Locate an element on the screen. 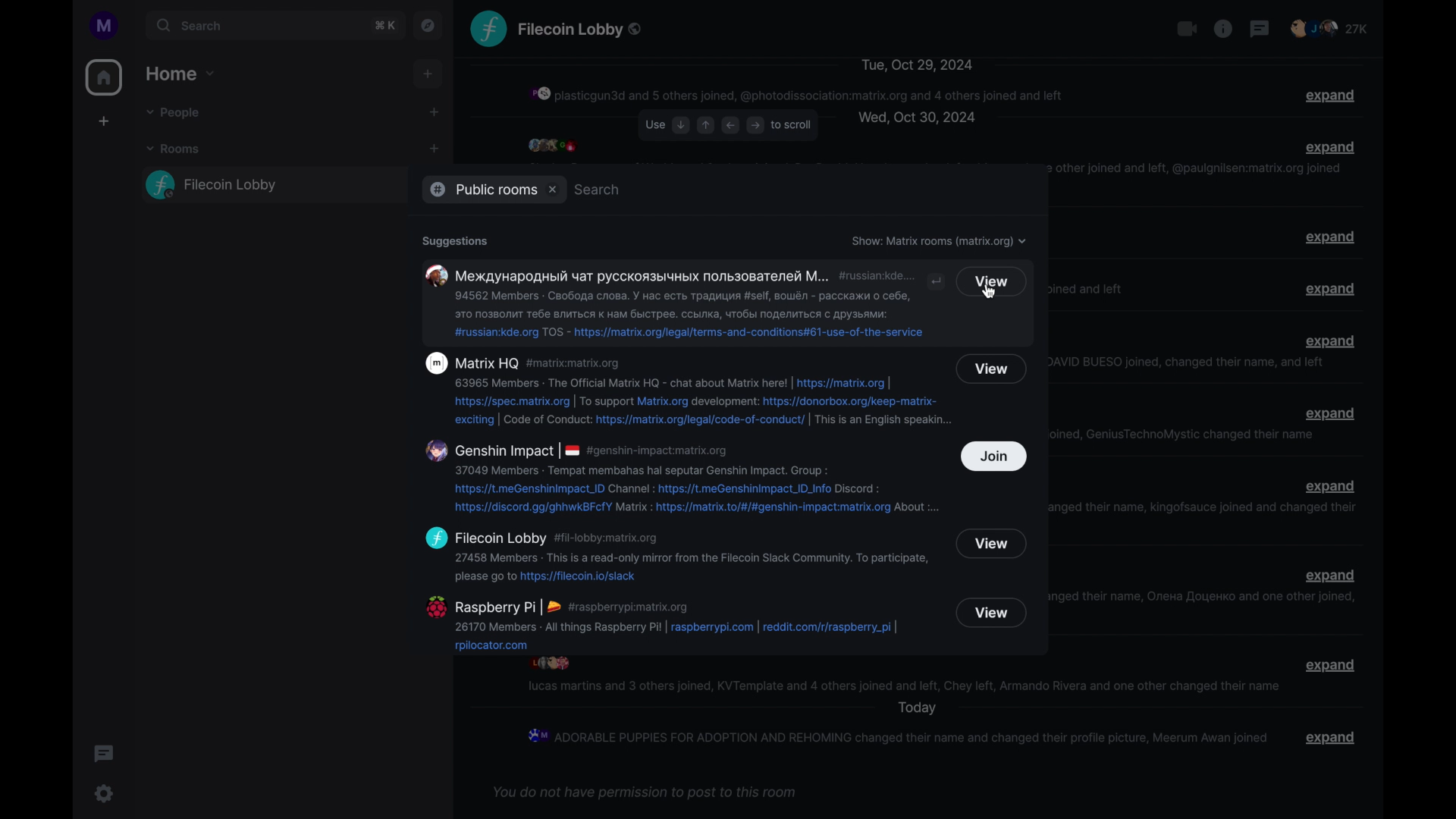 The height and width of the screenshot is (819, 1456). add room is located at coordinates (434, 149).